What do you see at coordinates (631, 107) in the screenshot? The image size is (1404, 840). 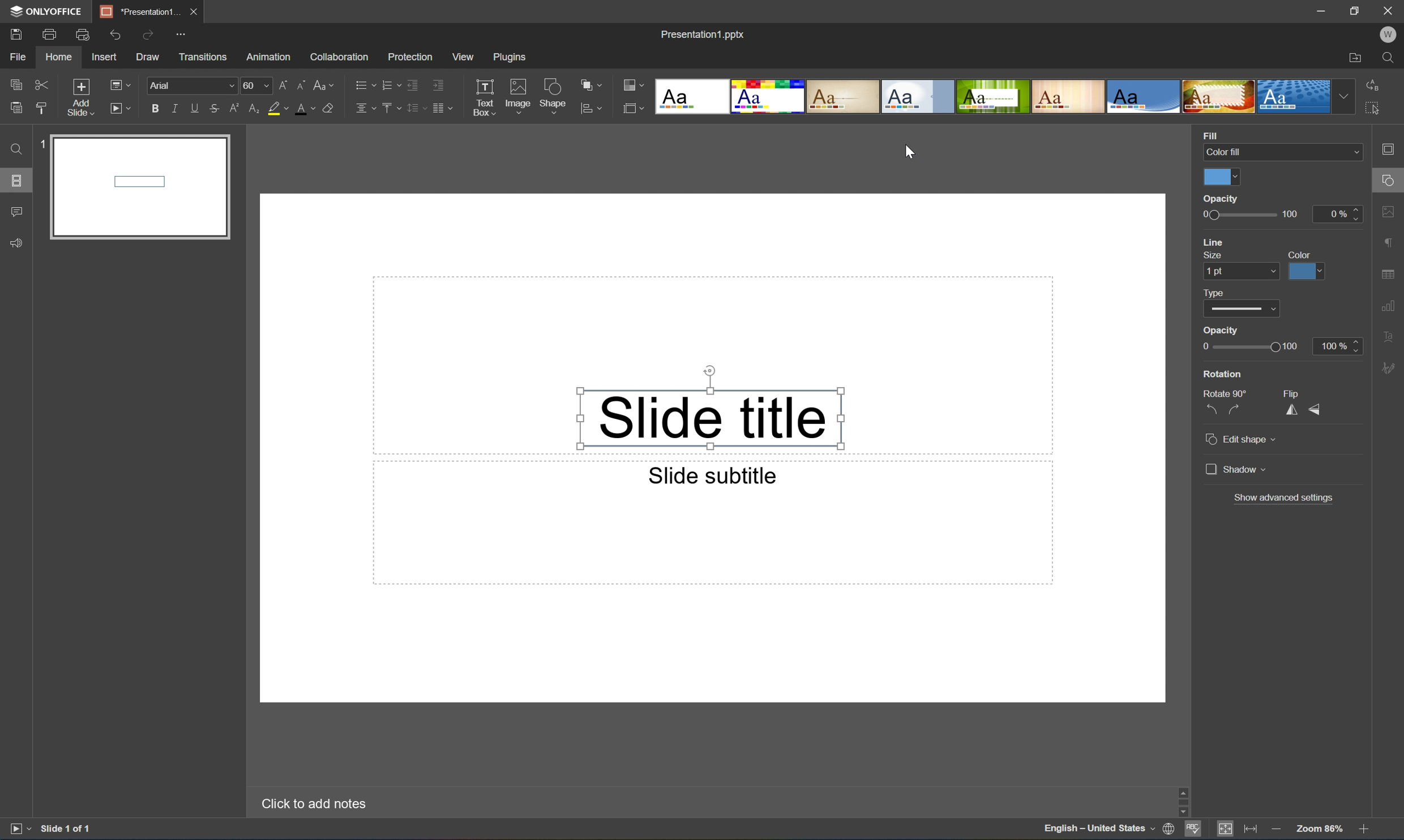 I see `icon` at bounding box center [631, 107].